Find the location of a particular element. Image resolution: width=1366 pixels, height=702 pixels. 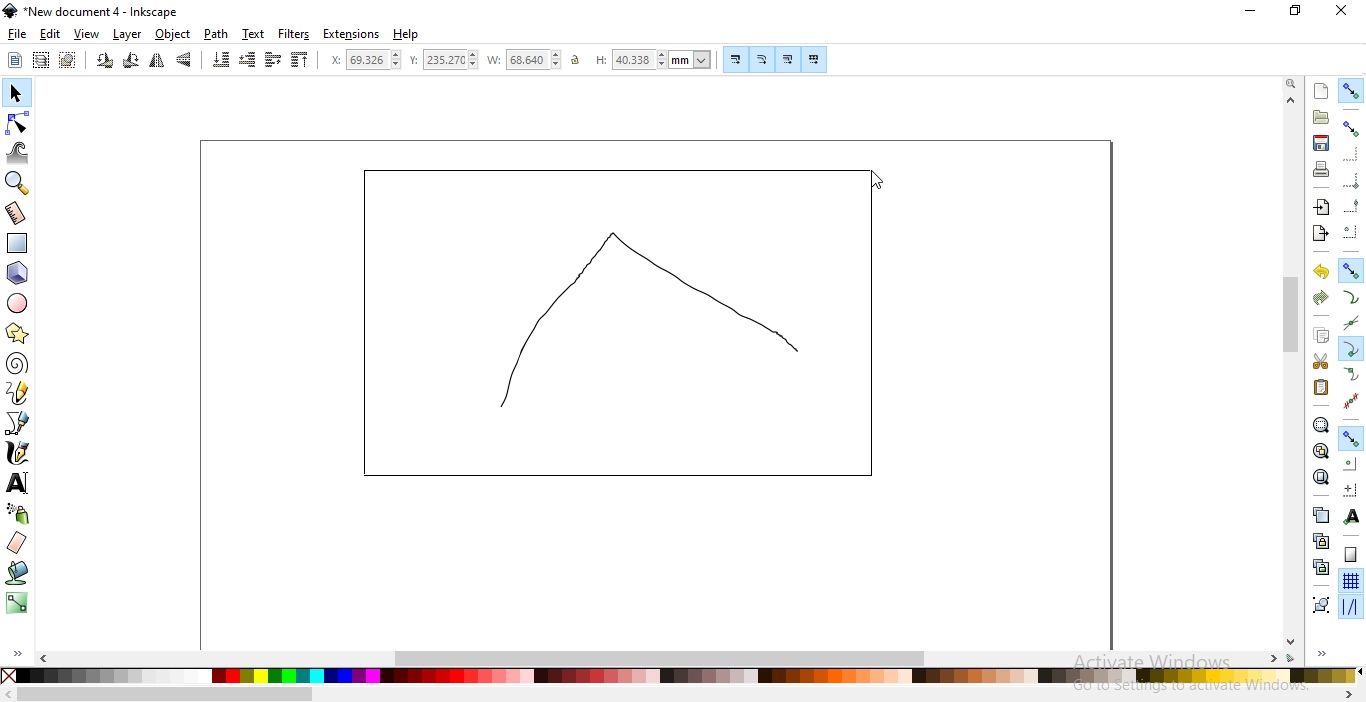

filters is located at coordinates (295, 34).